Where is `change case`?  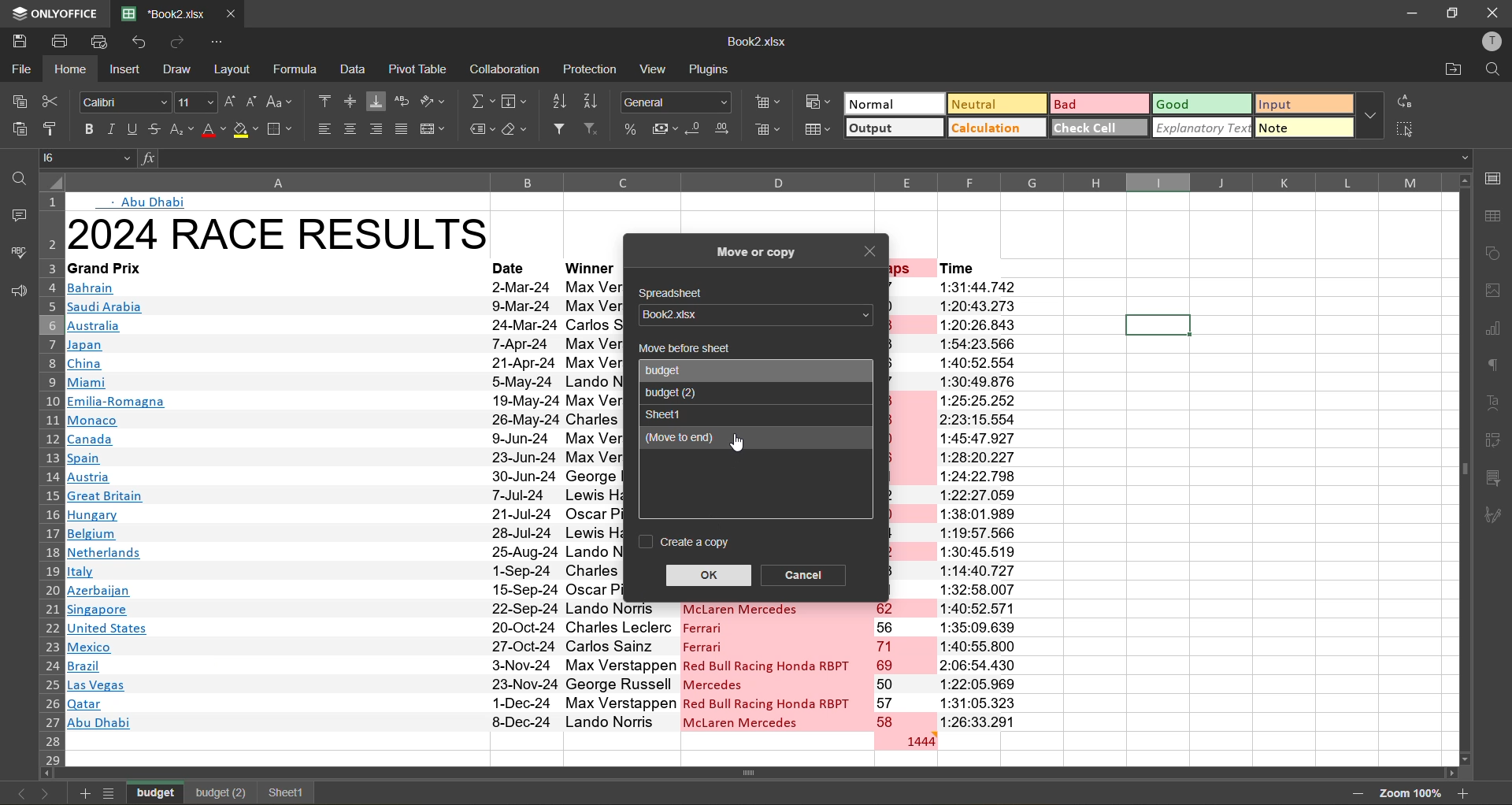 change case is located at coordinates (283, 101).